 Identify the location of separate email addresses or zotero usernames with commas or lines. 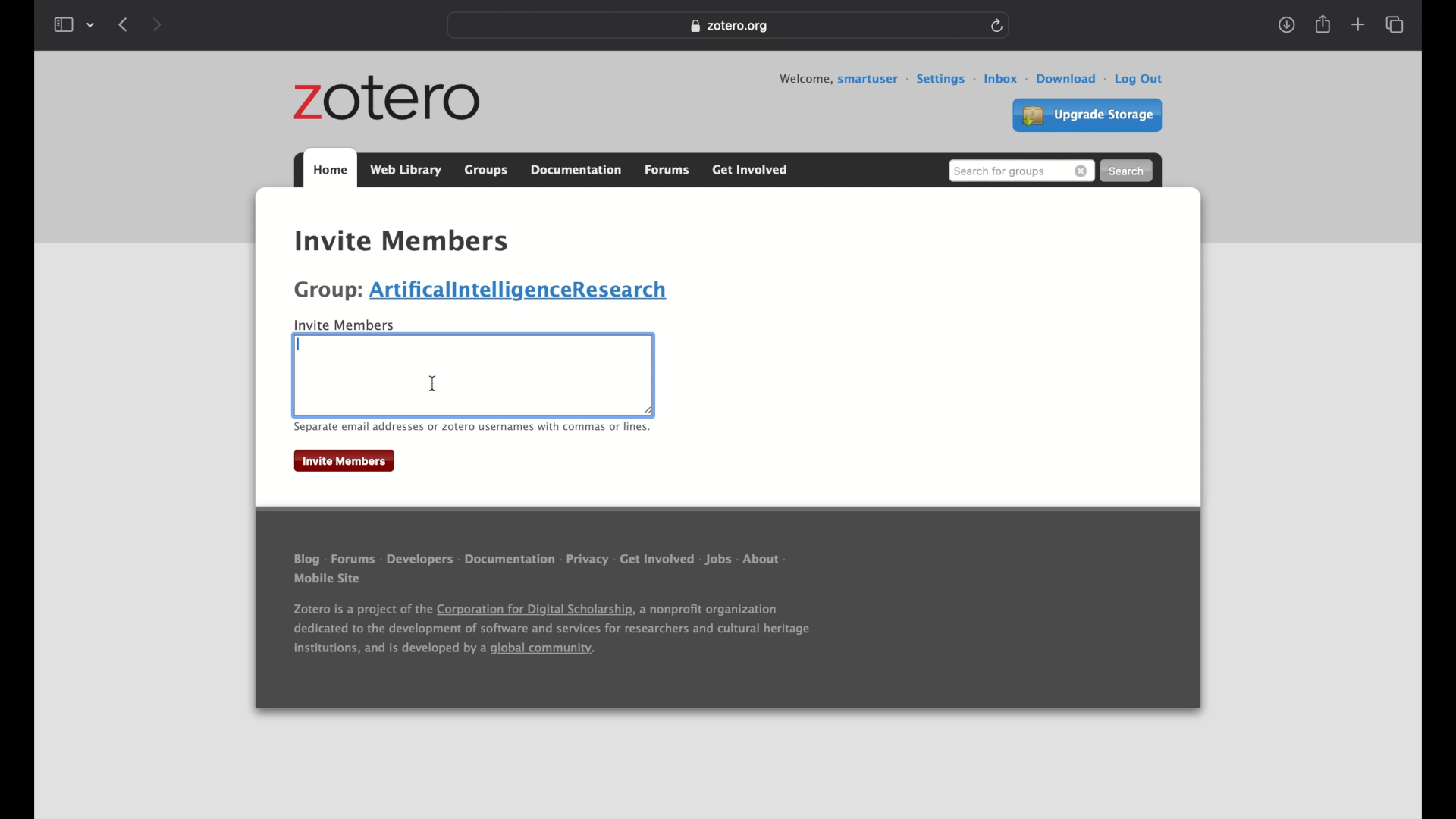
(471, 428).